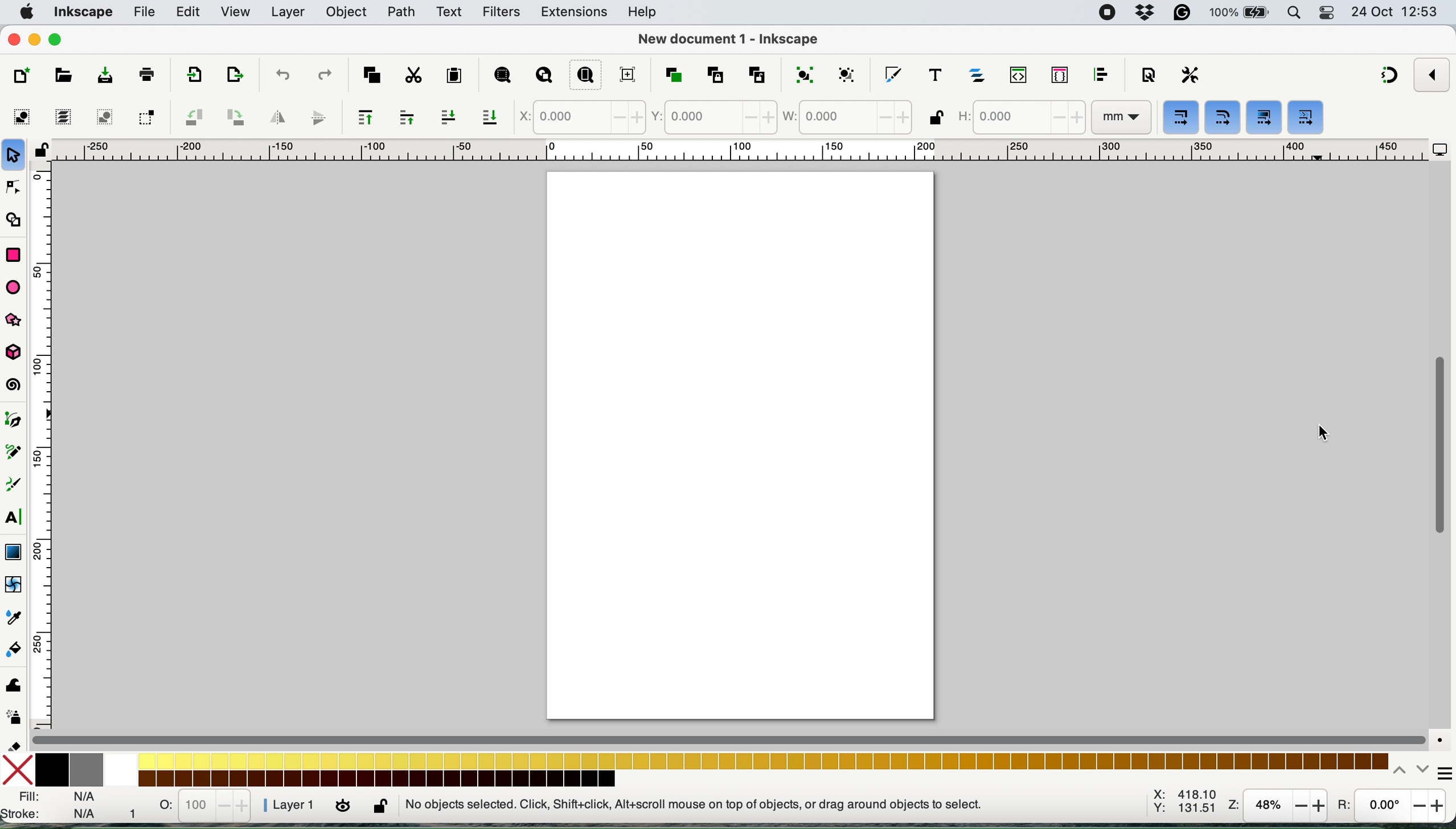 The image size is (1456, 829). I want to click on spotlight search, so click(1293, 13).